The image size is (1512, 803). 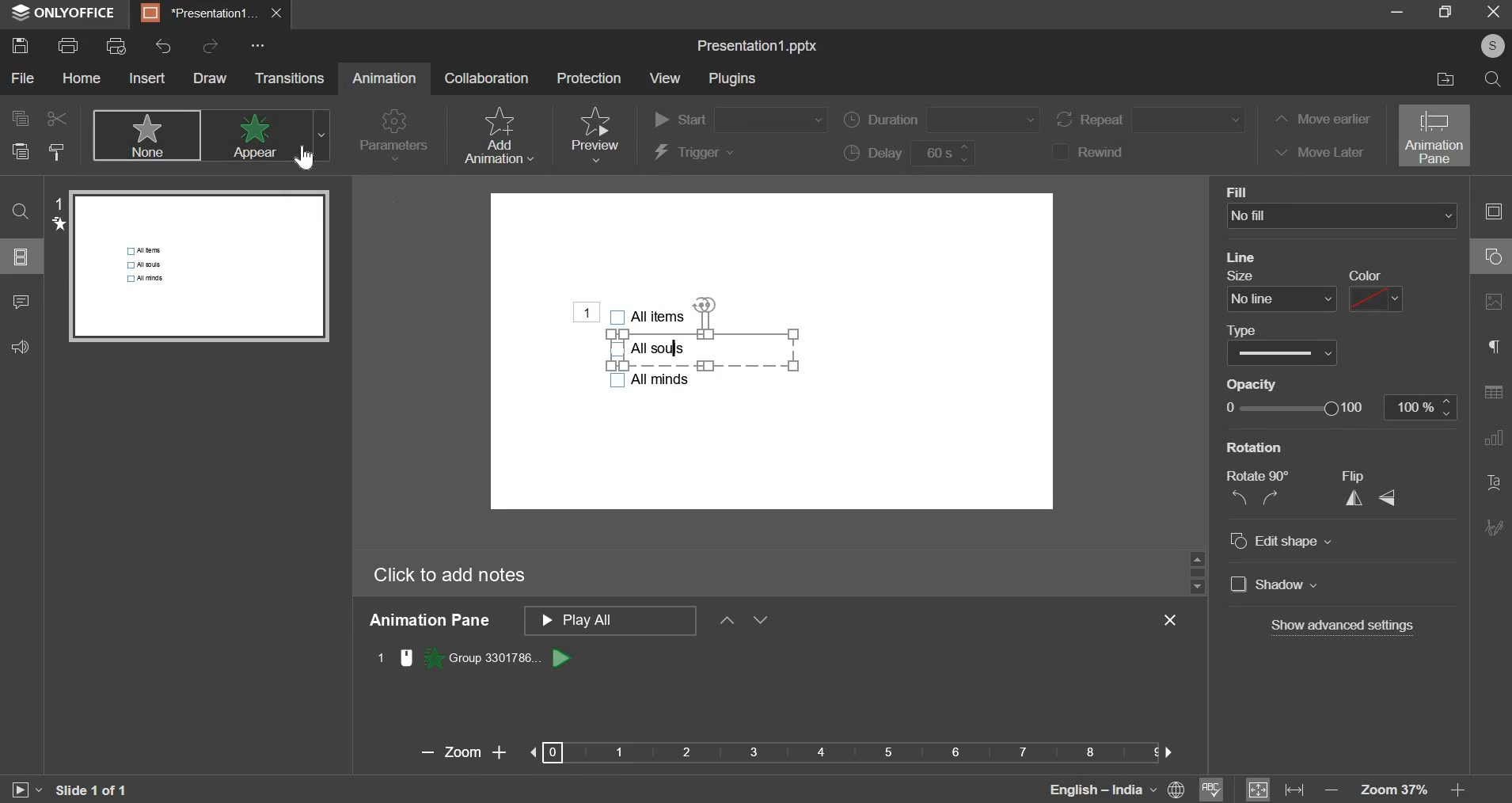 I want to click on insert, so click(x=146, y=78).